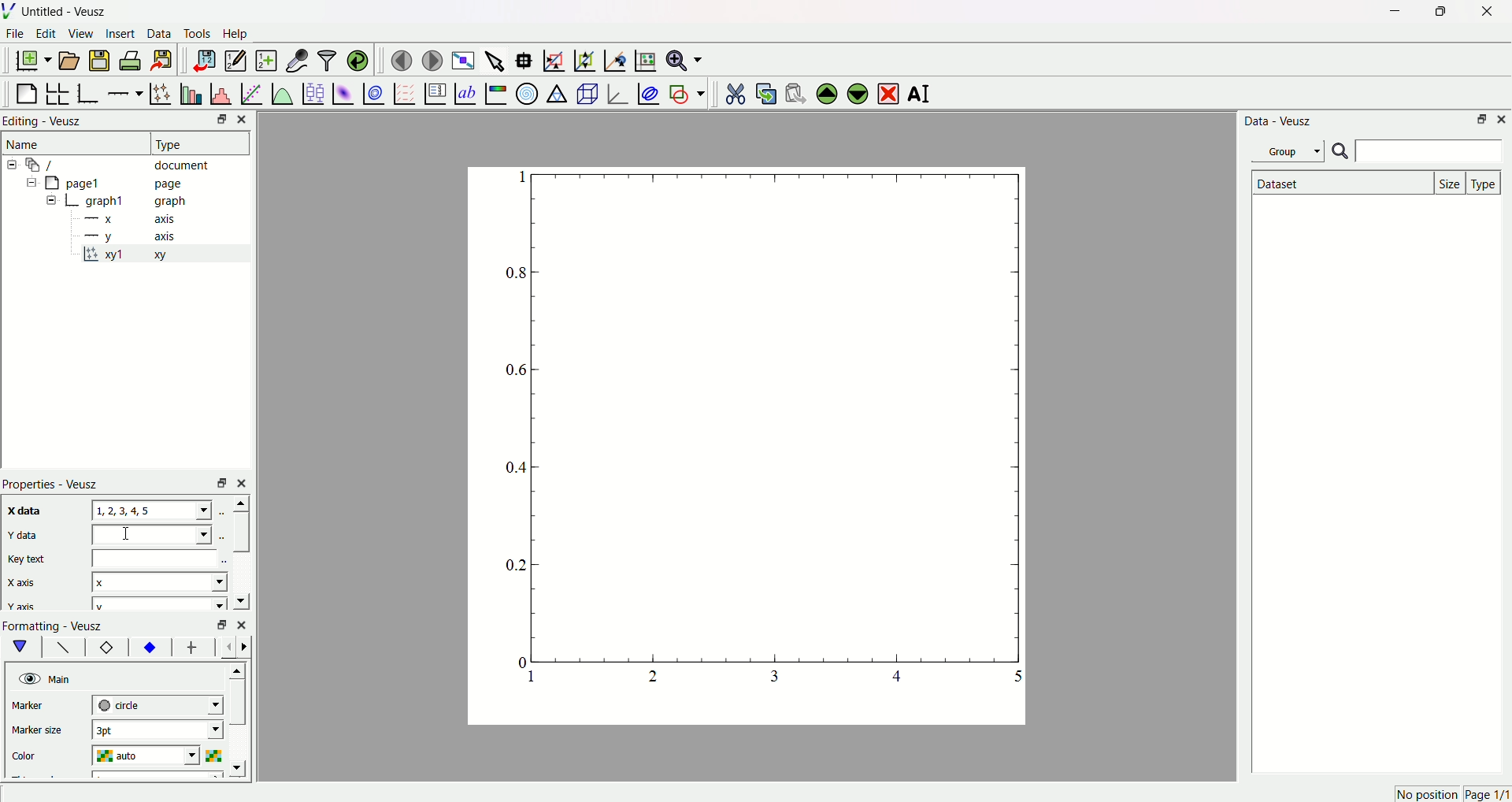 The image size is (1512, 802). Describe the element at coordinates (41, 732) in the screenshot. I see `marker size` at that location.